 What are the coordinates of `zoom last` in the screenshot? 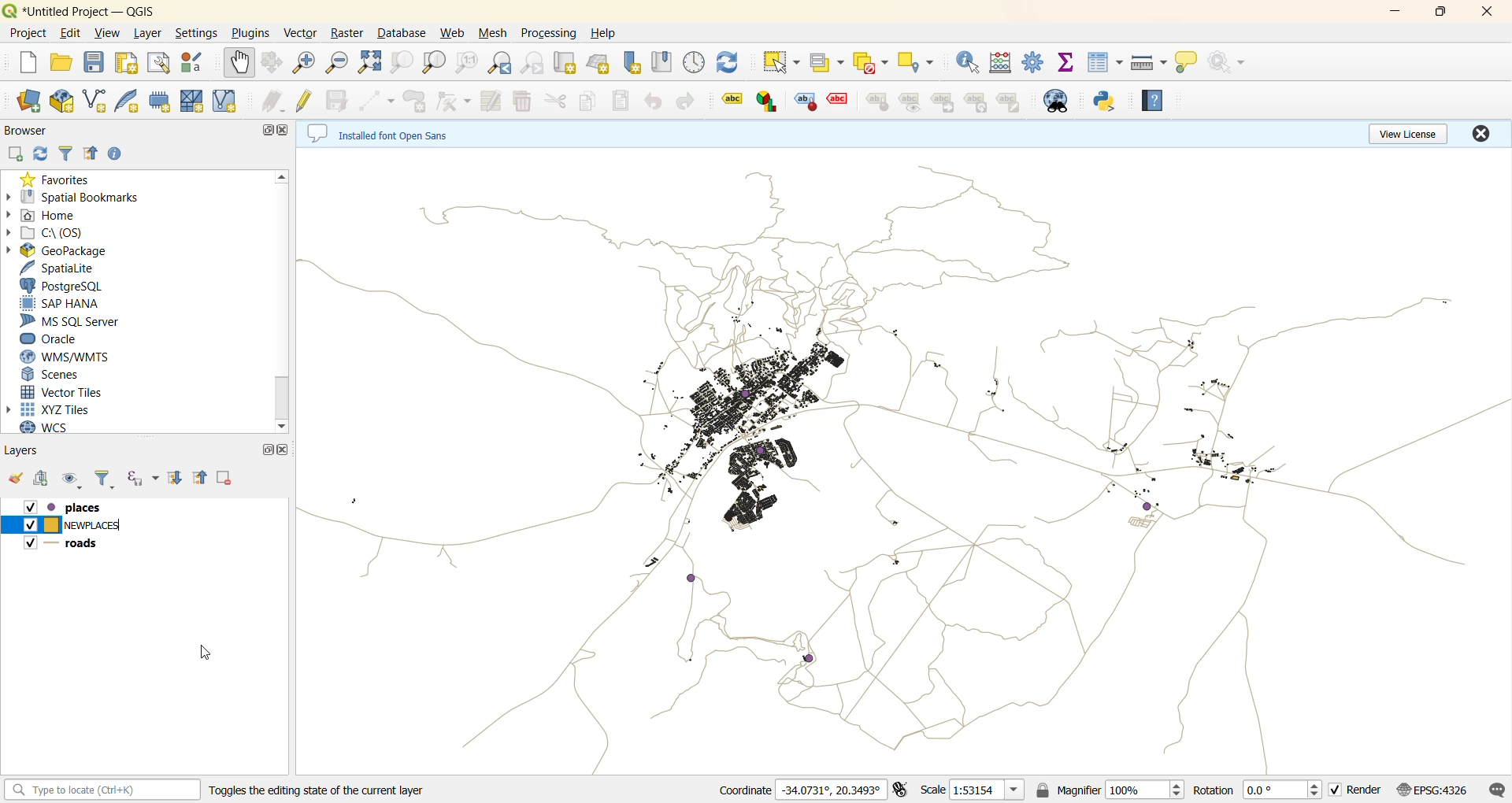 It's located at (502, 63).